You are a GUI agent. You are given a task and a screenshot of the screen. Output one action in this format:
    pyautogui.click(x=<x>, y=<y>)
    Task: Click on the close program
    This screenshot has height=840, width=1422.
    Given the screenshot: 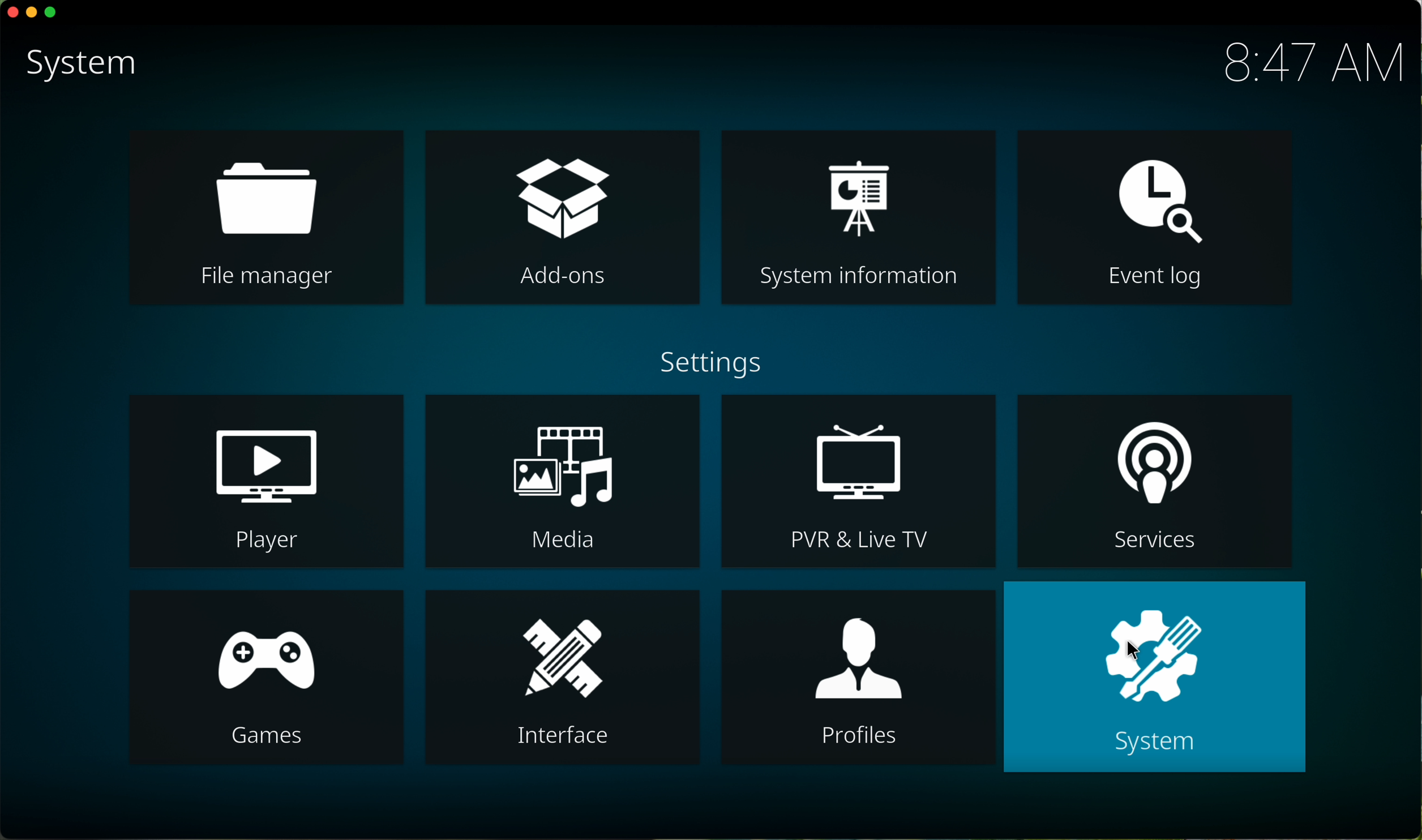 What is the action you would take?
    pyautogui.click(x=11, y=13)
    